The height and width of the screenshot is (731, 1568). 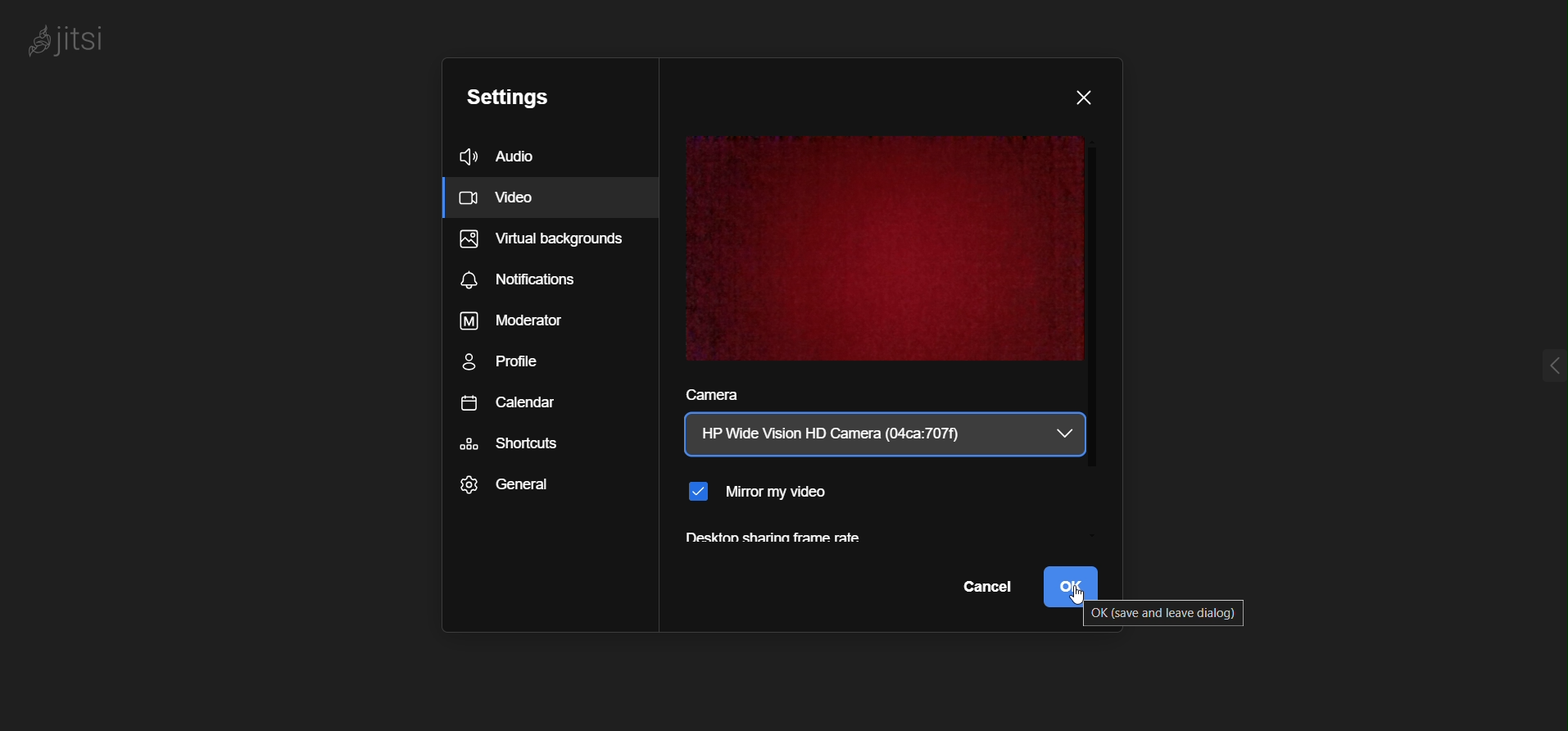 I want to click on Video, so click(x=553, y=198).